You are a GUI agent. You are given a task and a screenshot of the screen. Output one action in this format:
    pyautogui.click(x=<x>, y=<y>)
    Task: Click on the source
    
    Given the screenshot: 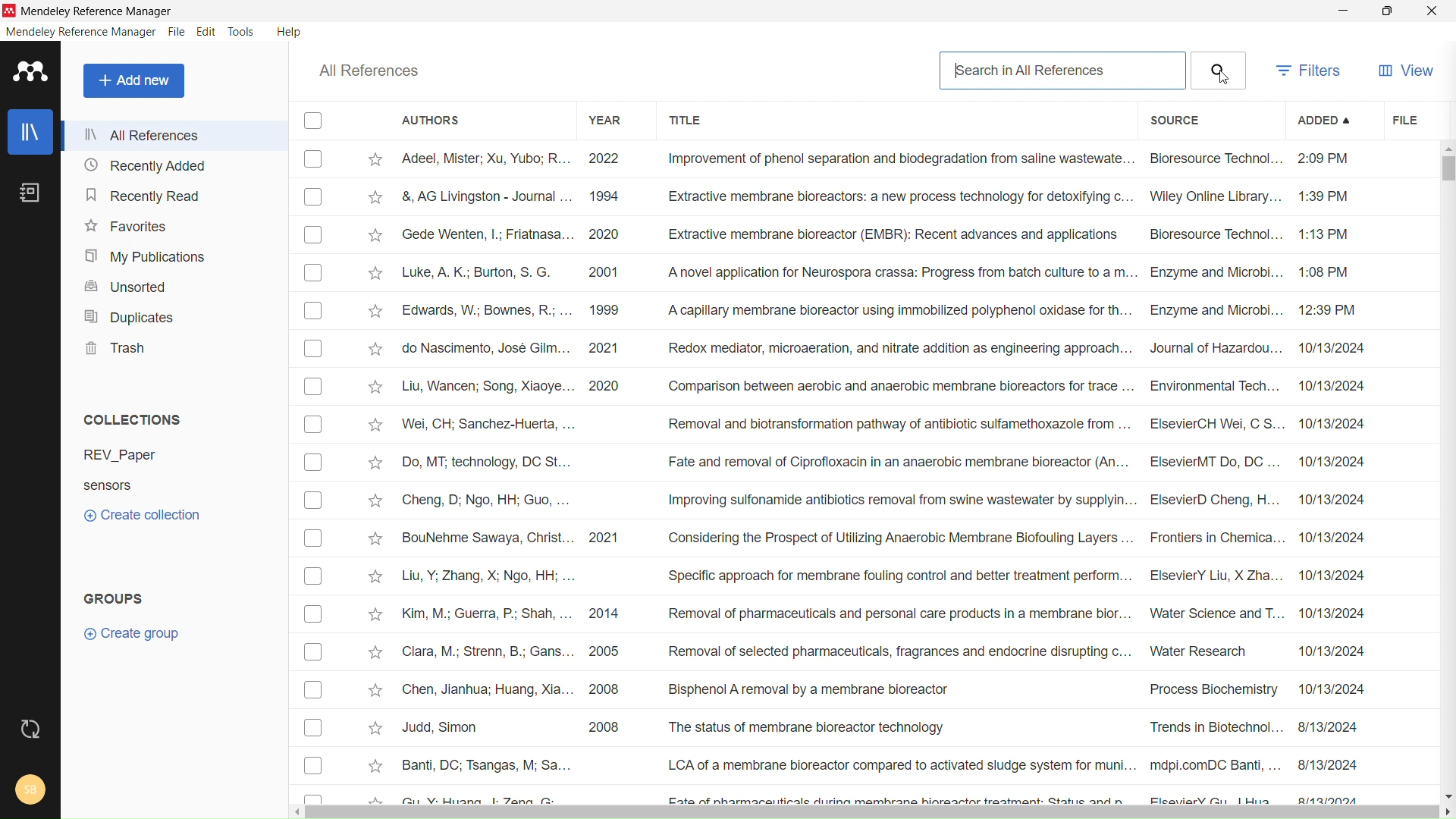 What is the action you would take?
    pyautogui.click(x=1210, y=120)
    